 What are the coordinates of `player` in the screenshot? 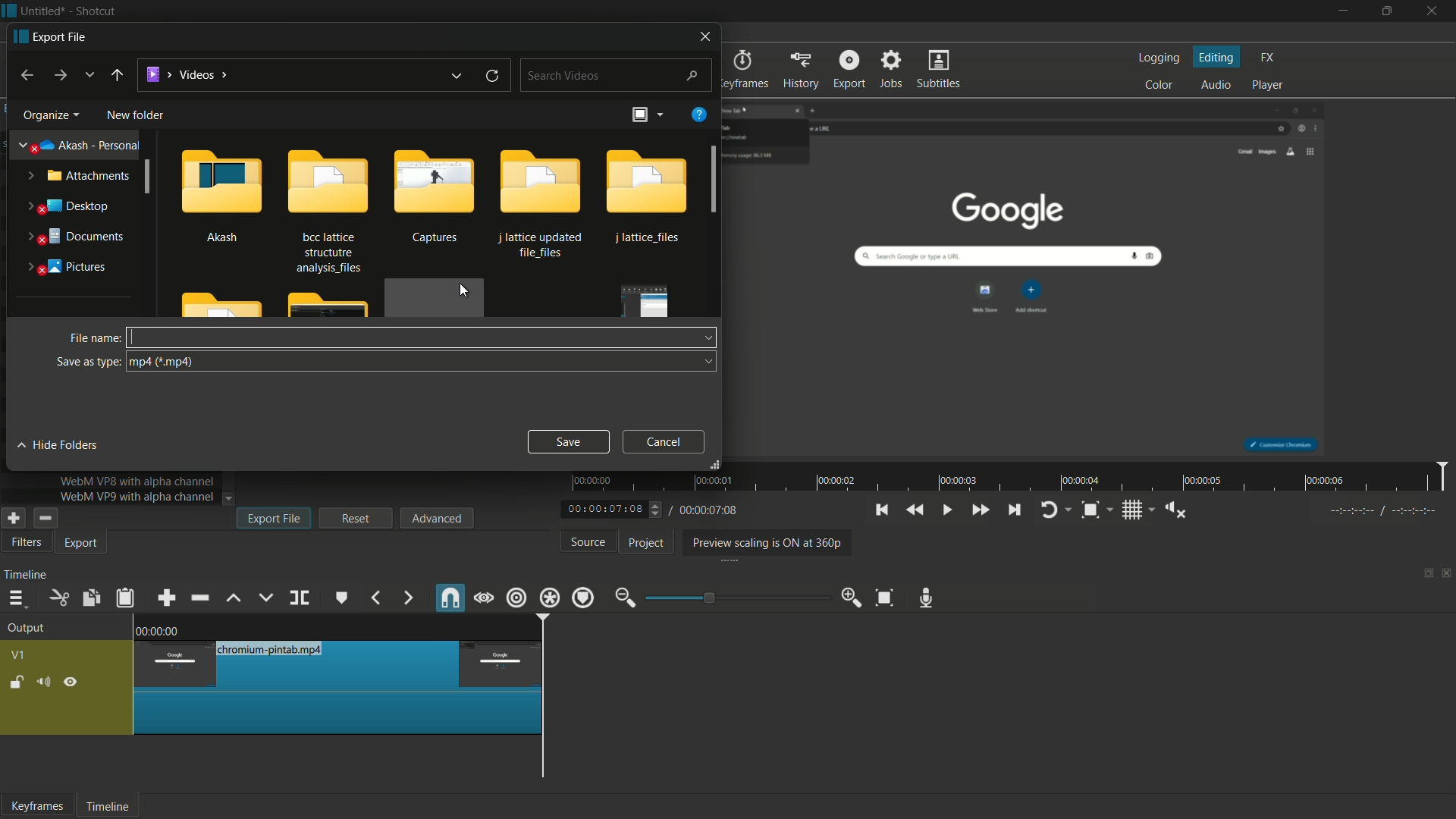 It's located at (1268, 83).